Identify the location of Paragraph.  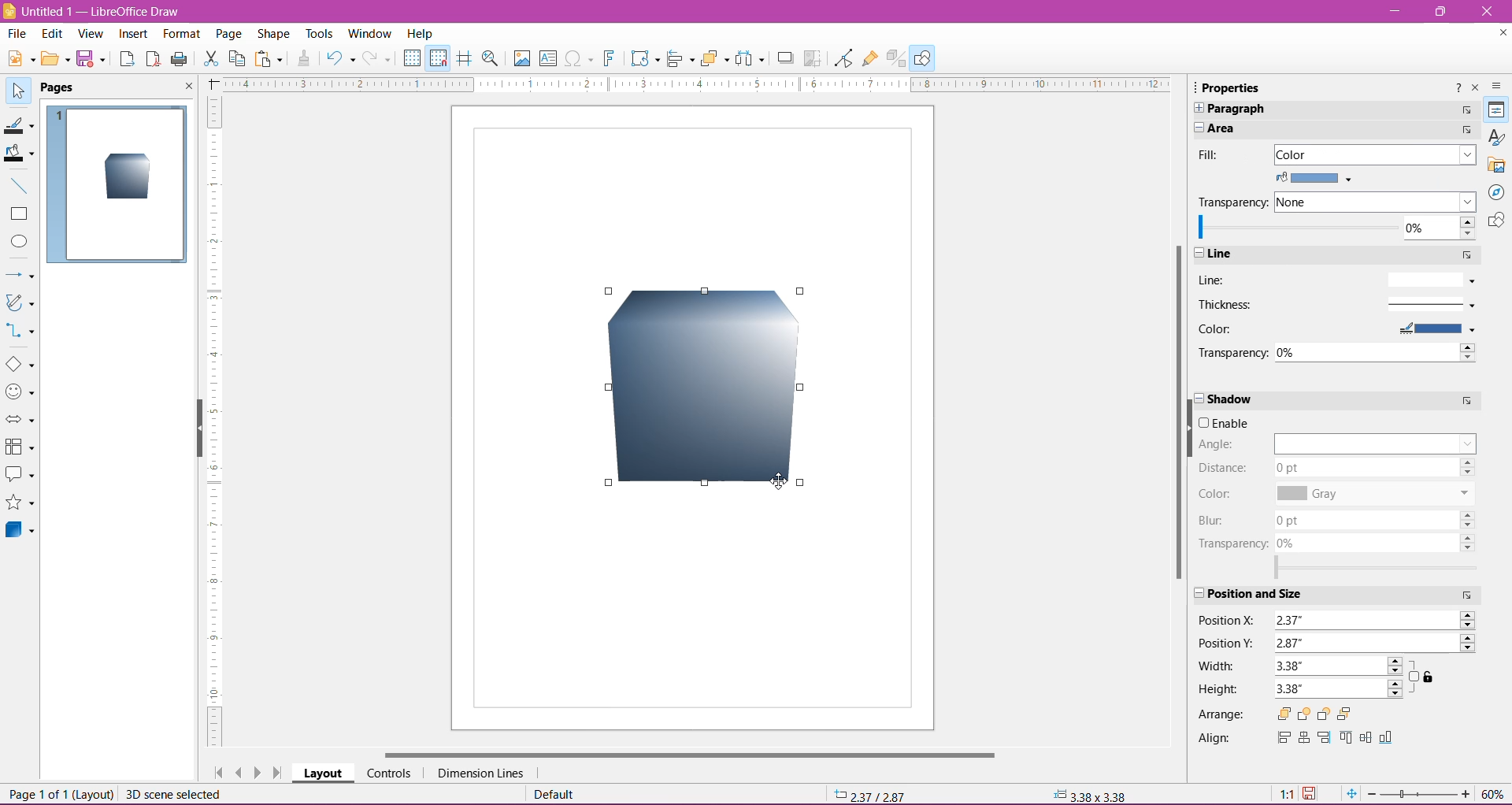
(1325, 108).